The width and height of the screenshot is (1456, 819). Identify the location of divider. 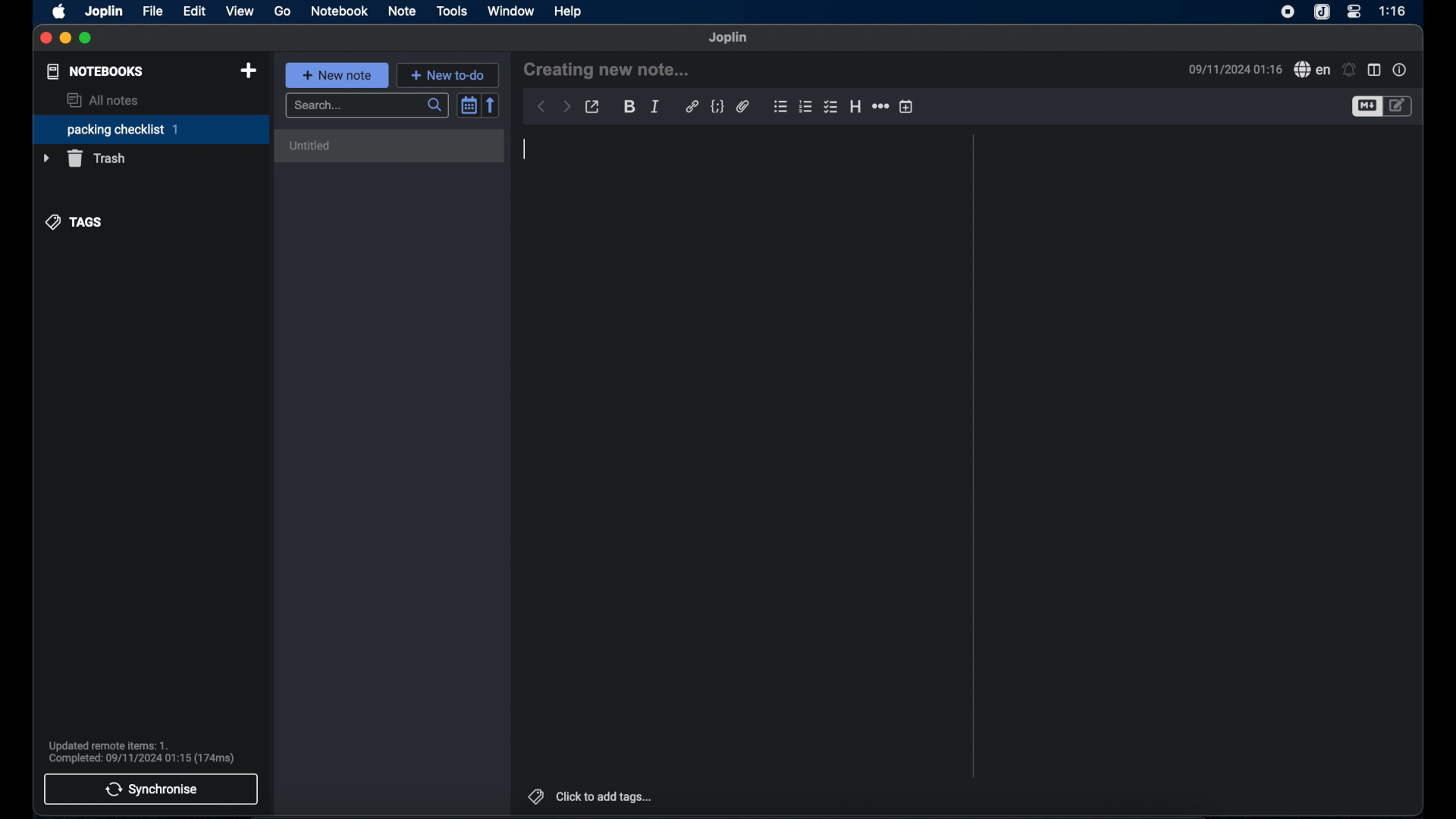
(971, 456).